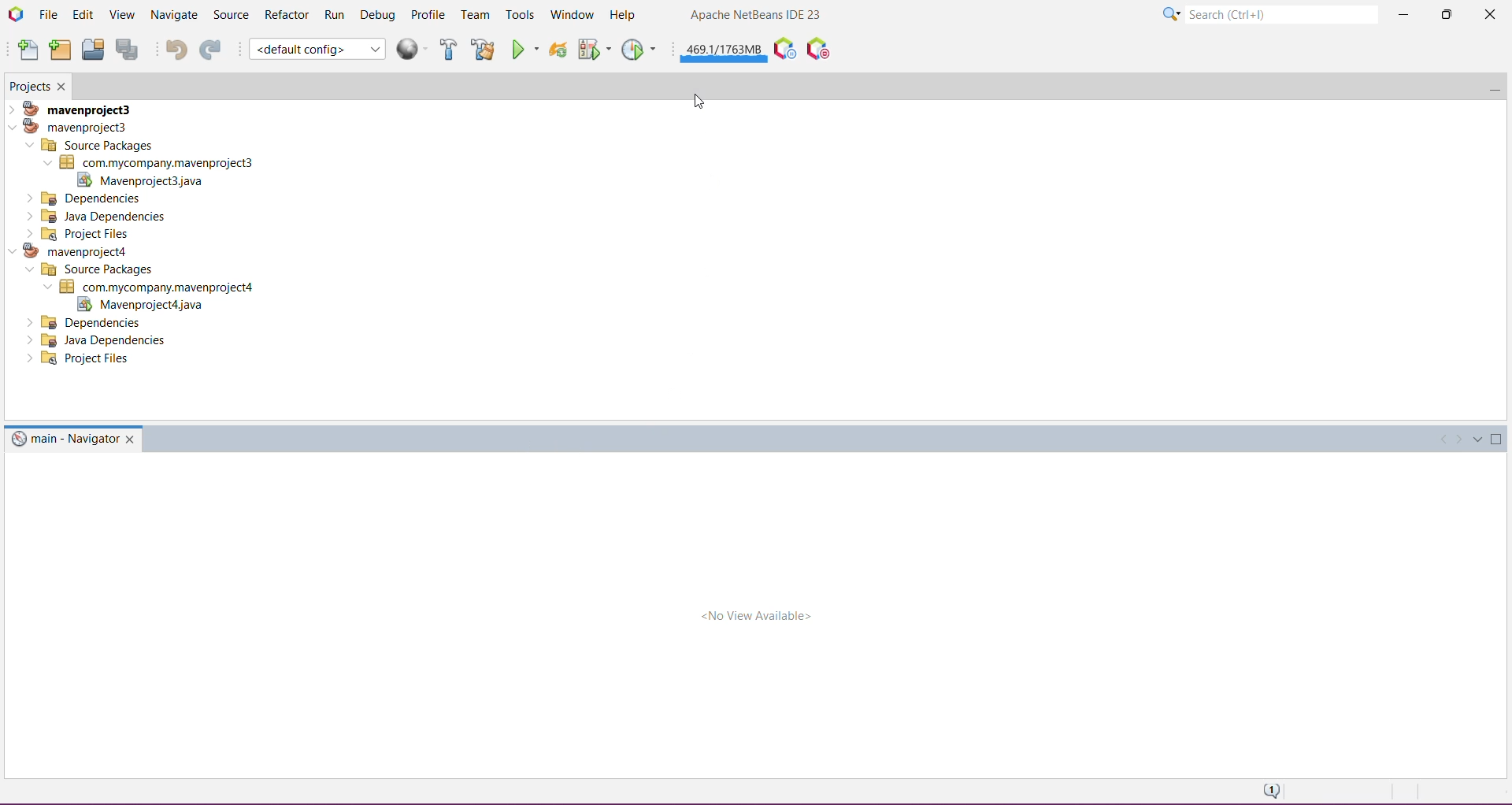  I want to click on Pause I/O Checks, so click(817, 49).